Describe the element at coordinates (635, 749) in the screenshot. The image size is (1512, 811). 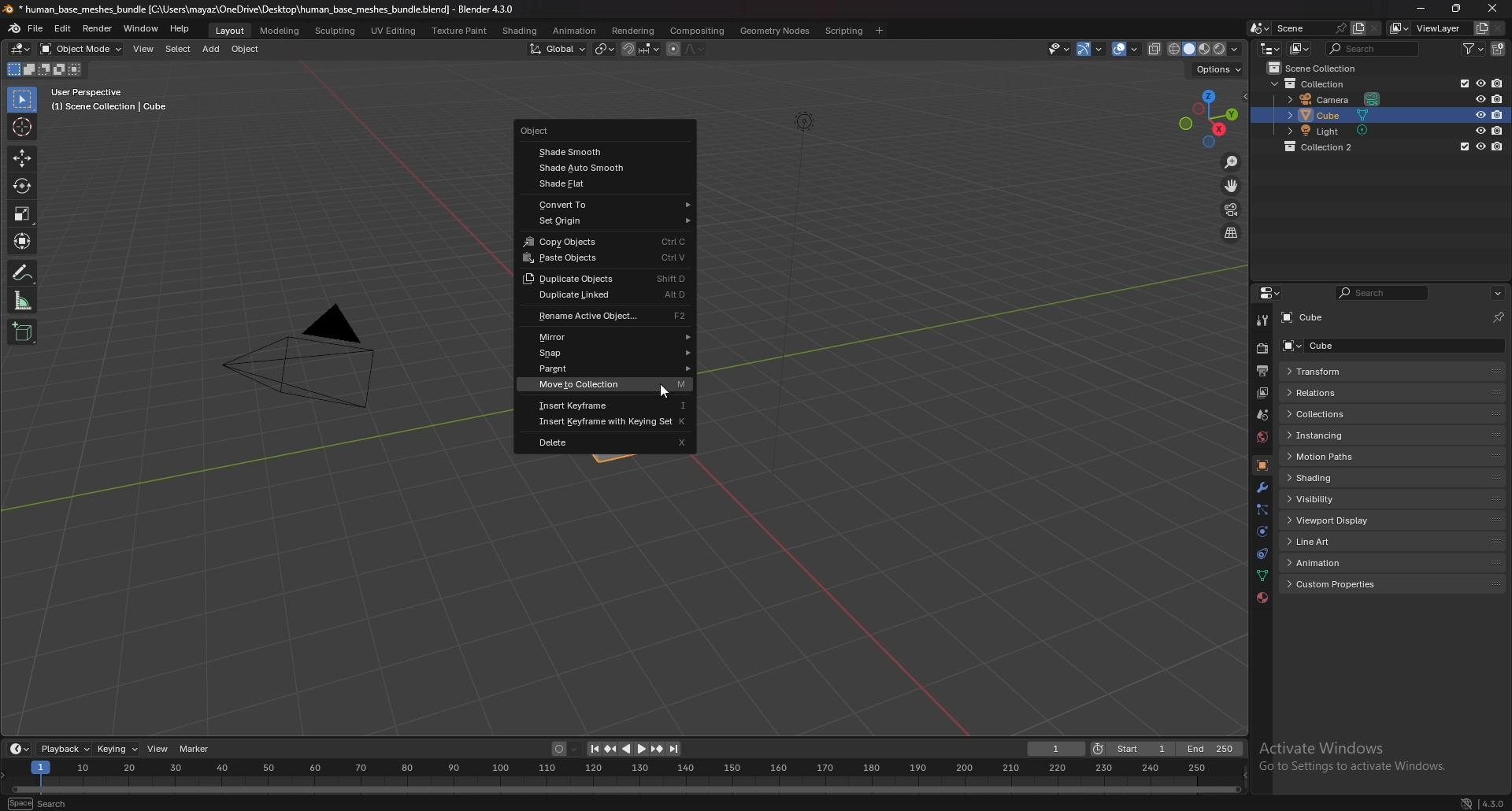
I see `play animation` at that location.